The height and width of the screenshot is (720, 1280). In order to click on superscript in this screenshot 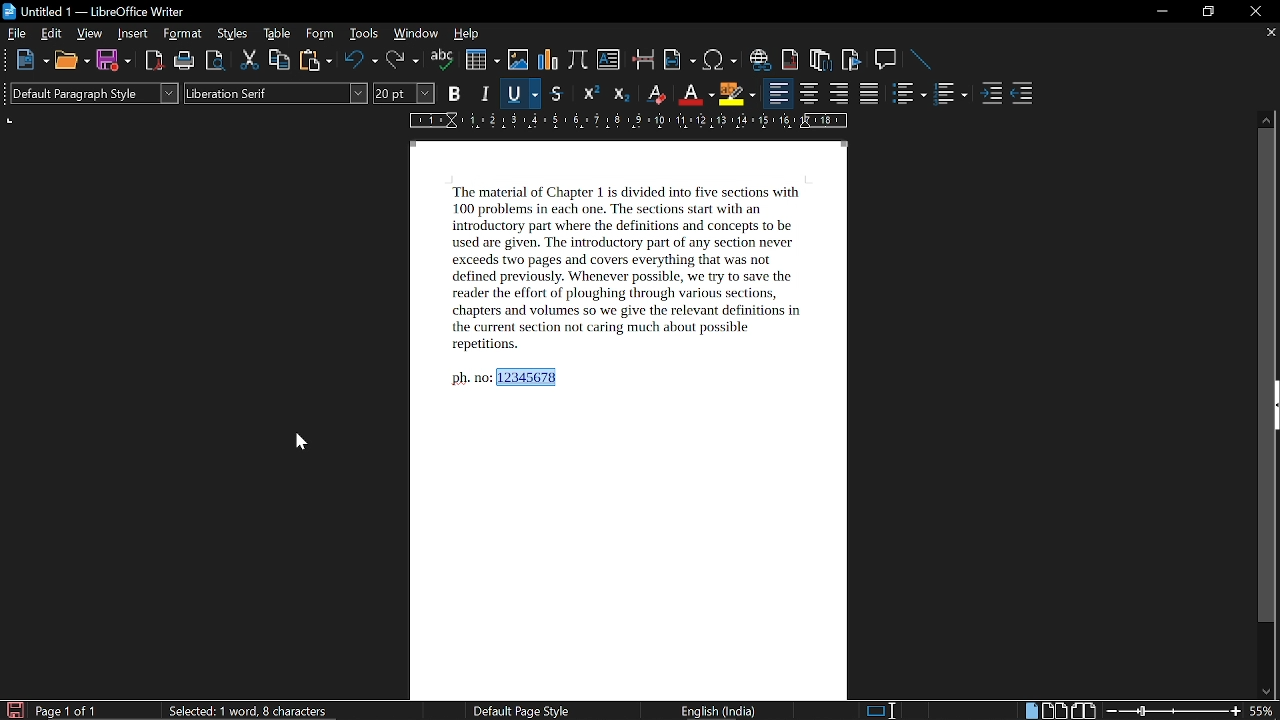, I will do `click(588, 95)`.